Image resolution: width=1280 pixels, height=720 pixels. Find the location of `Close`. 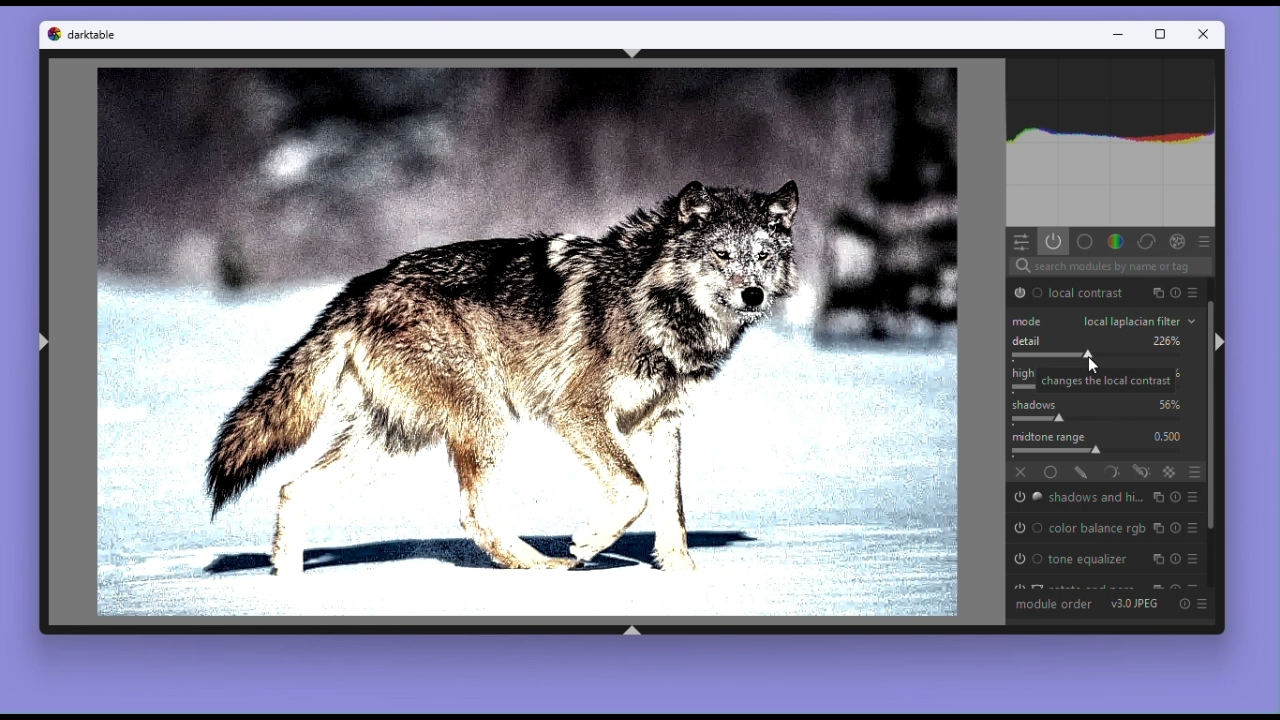

Close is located at coordinates (1204, 35).